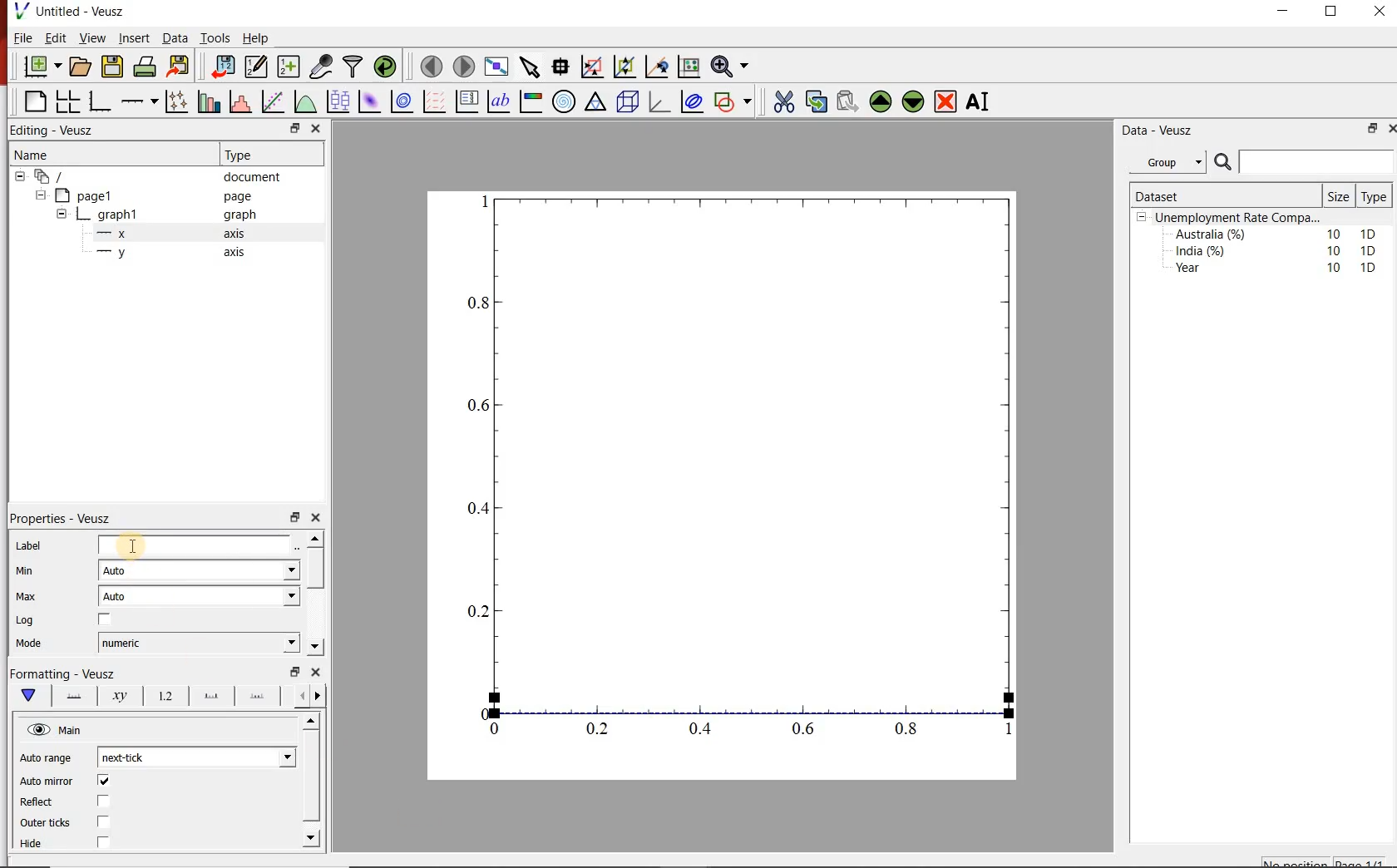  Describe the element at coordinates (172, 215) in the screenshot. I see `graph1
pl graph` at that location.